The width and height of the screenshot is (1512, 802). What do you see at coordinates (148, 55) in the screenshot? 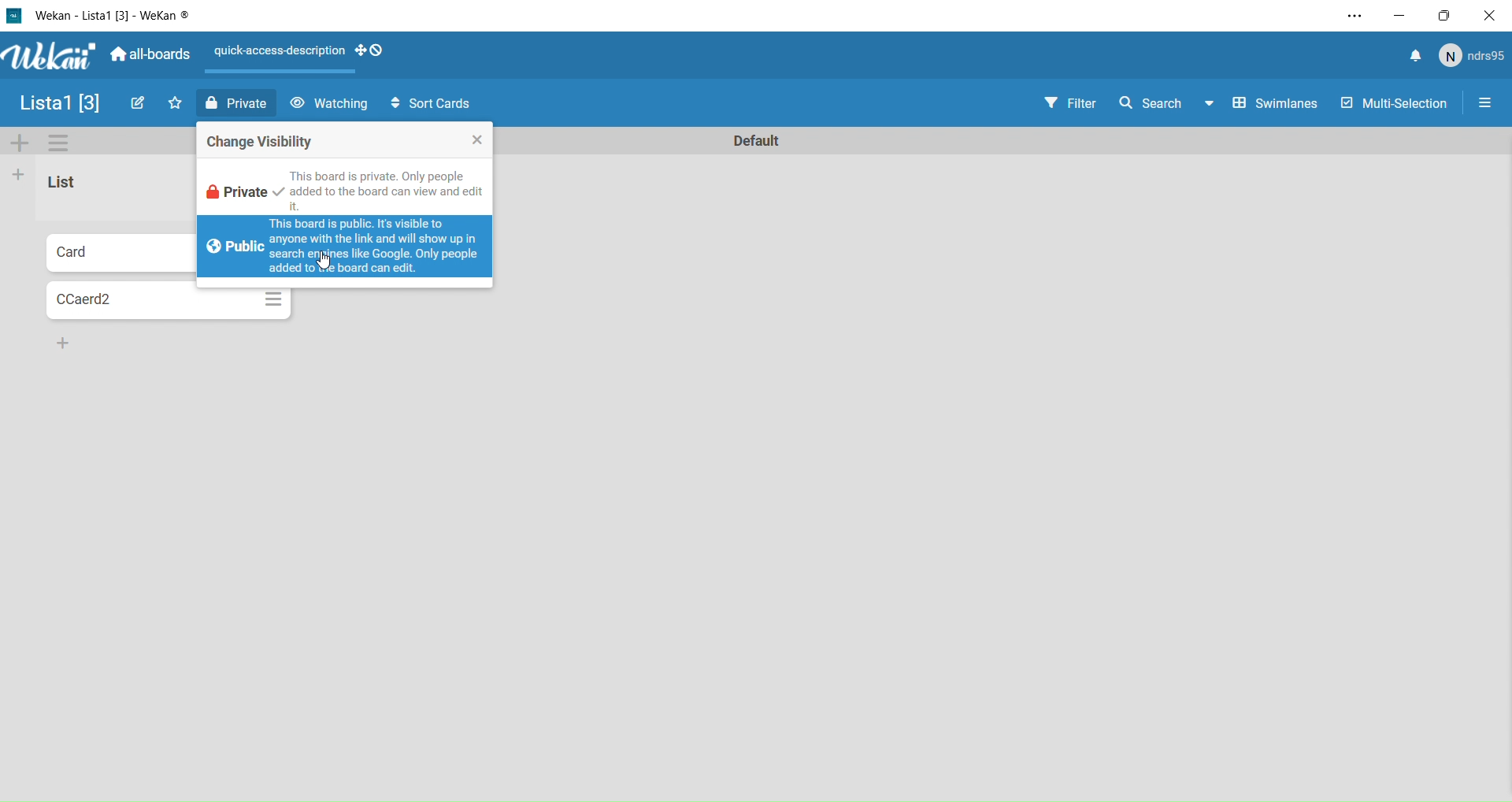
I see `All boards` at bounding box center [148, 55].